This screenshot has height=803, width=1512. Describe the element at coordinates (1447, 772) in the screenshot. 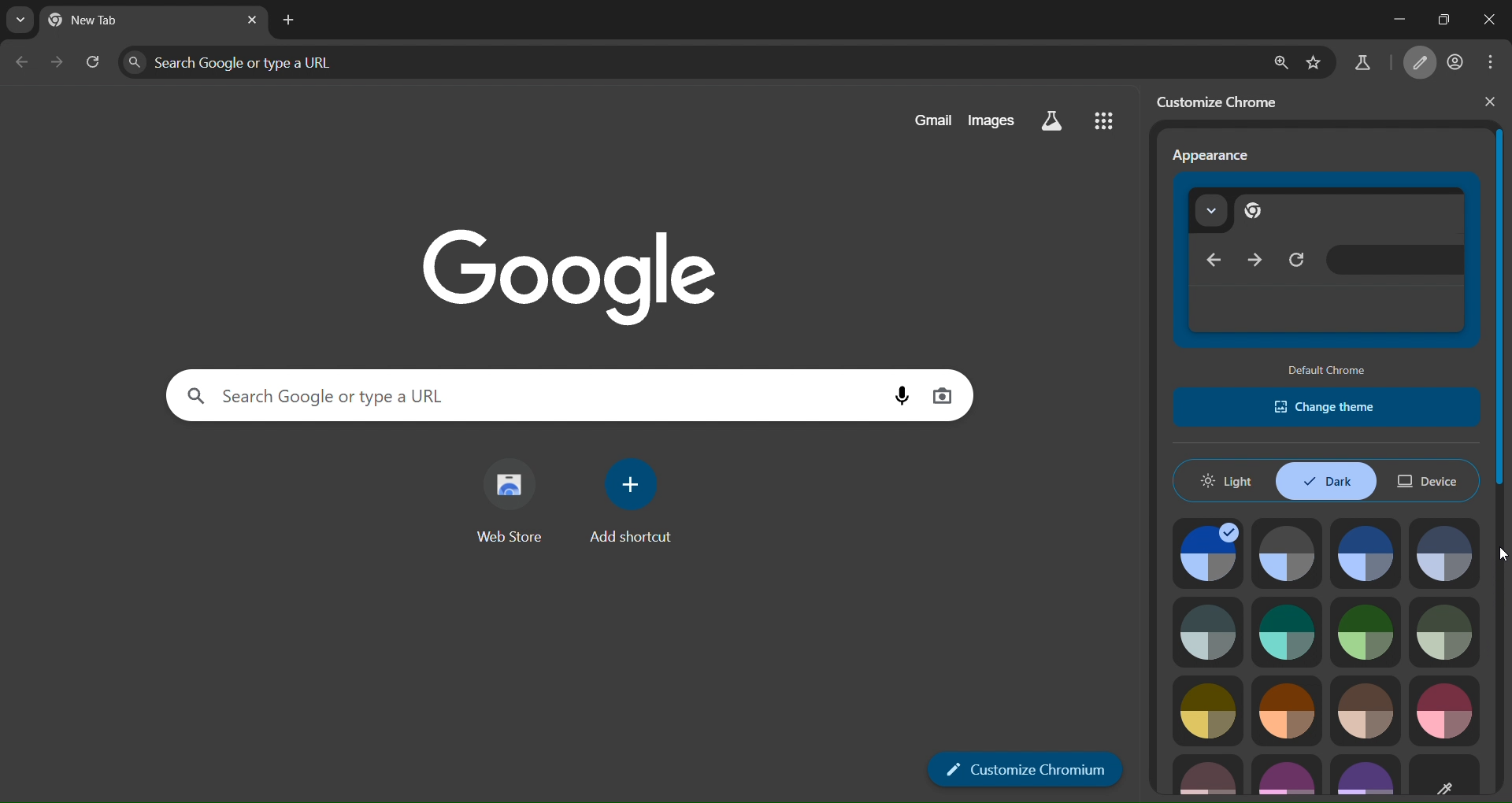

I see `Customize theme` at that location.